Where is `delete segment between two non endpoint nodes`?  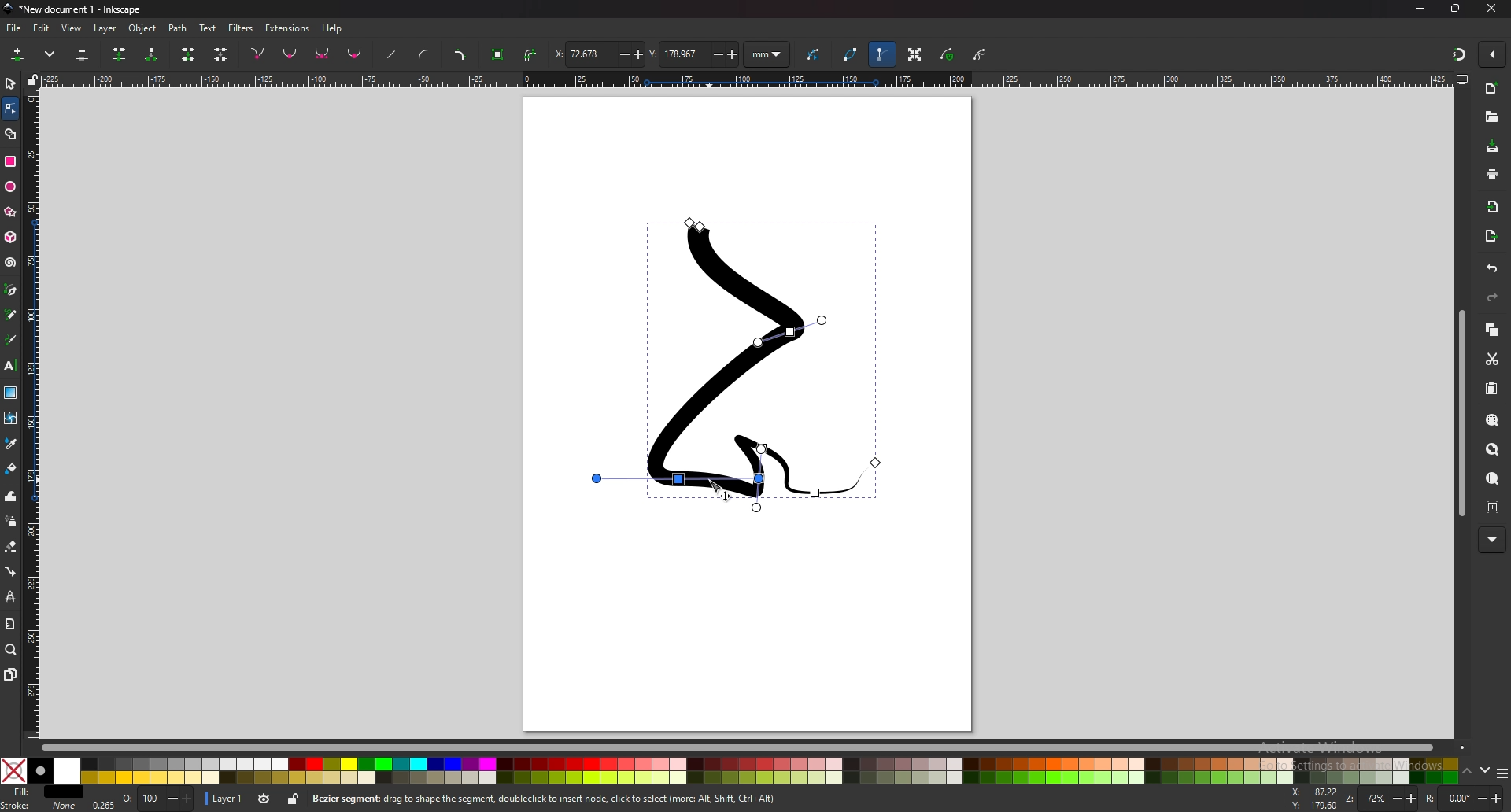 delete segment between two non endpoint nodes is located at coordinates (220, 54).